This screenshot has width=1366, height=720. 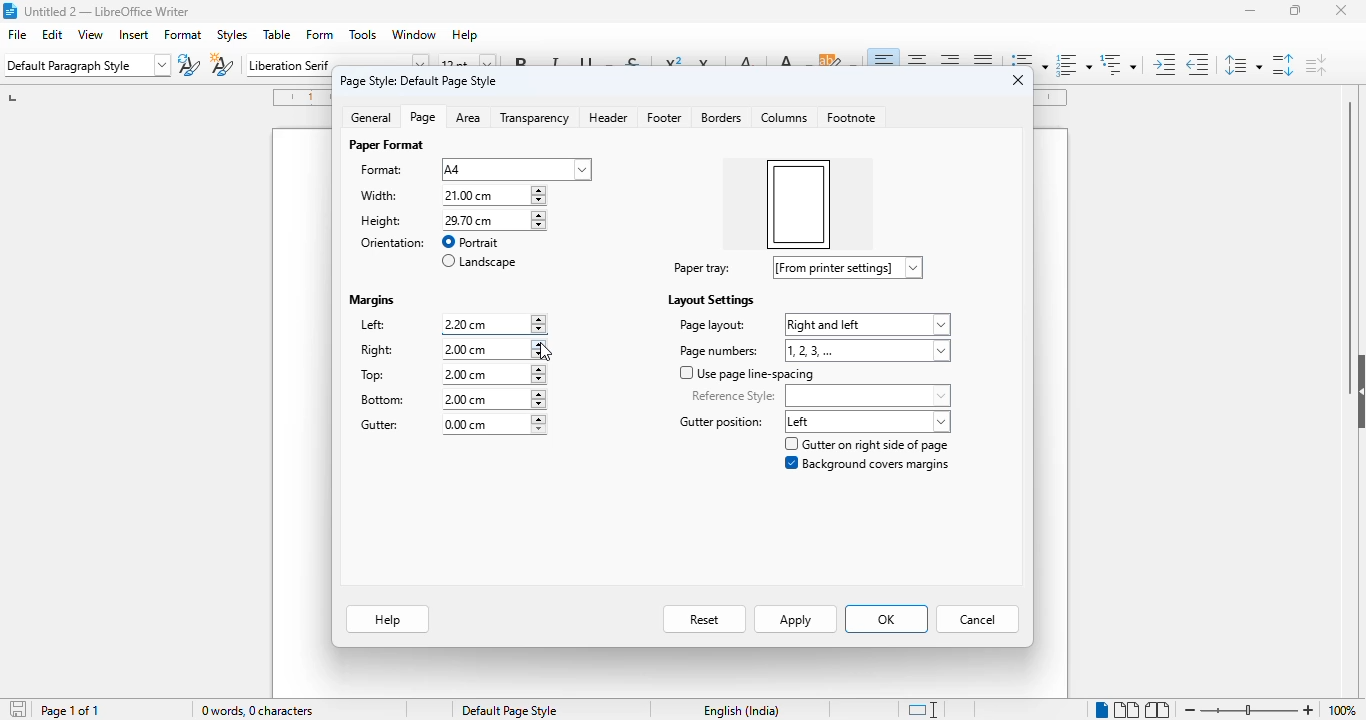 I want to click on left margin increased, so click(x=797, y=205).